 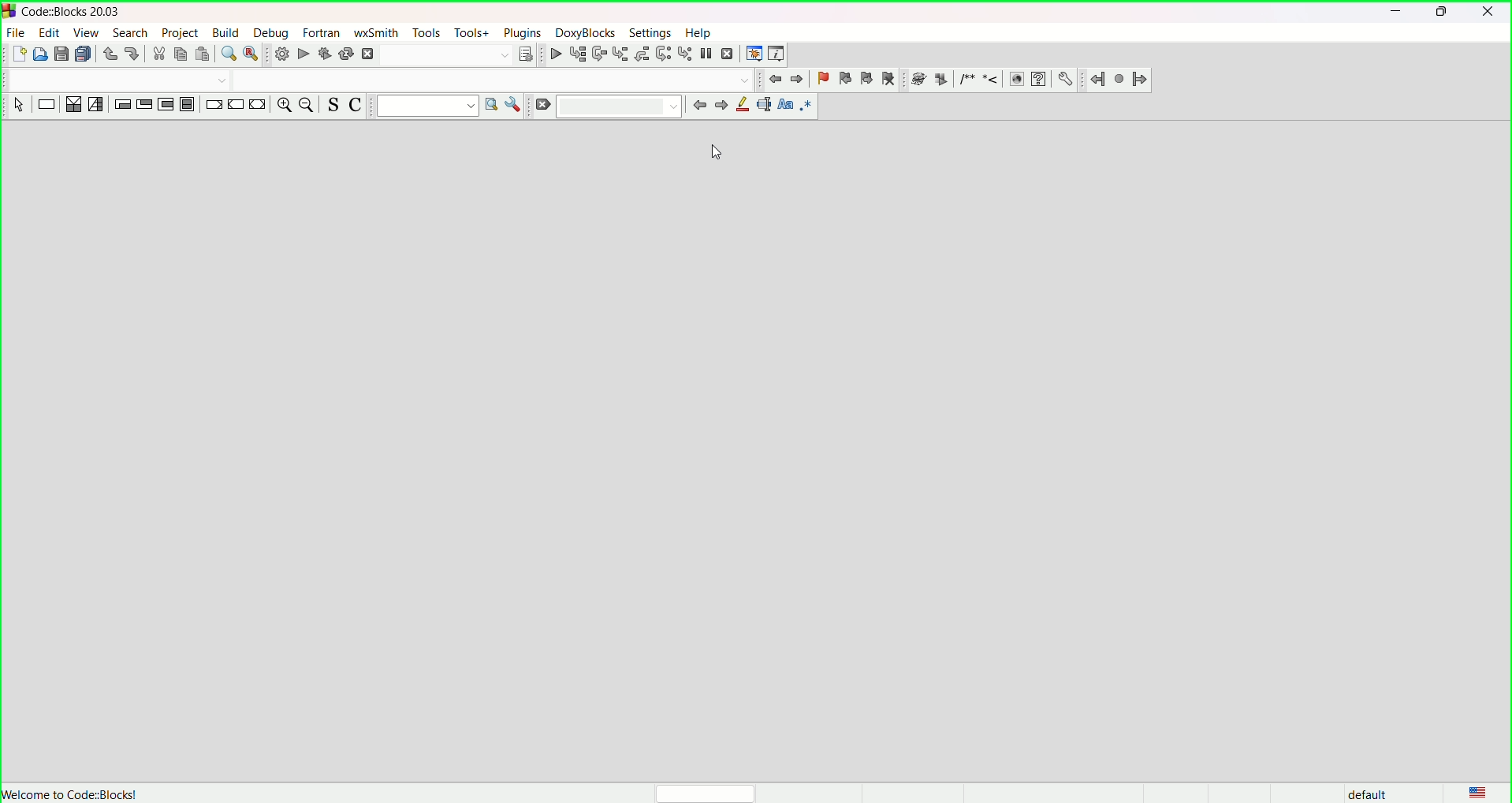 I want to click on Insert line, so click(x=989, y=80).